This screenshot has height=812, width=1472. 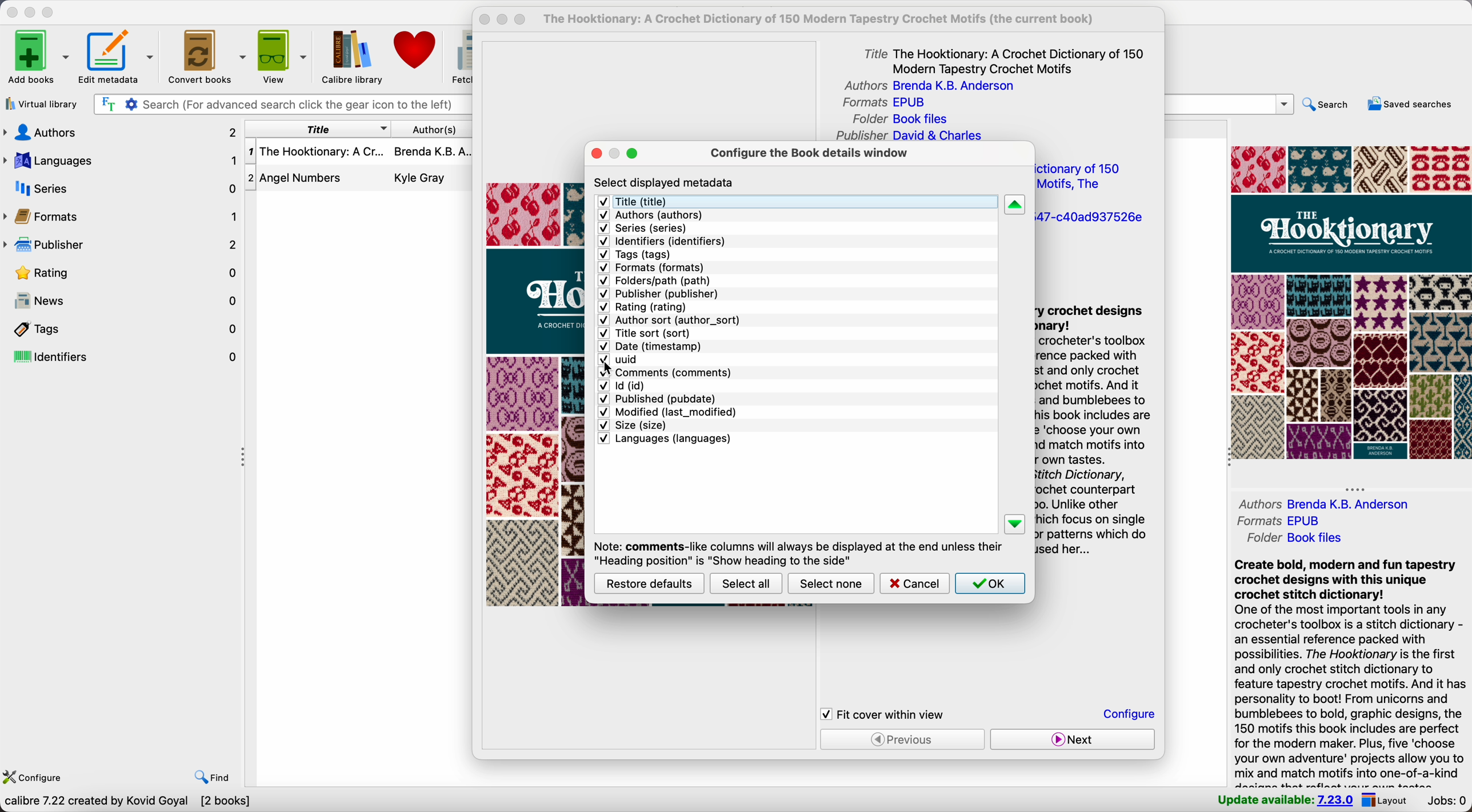 What do you see at coordinates (650, 583) in the screenshot?
I see `restore defaults` at bounding box center [650, 583].